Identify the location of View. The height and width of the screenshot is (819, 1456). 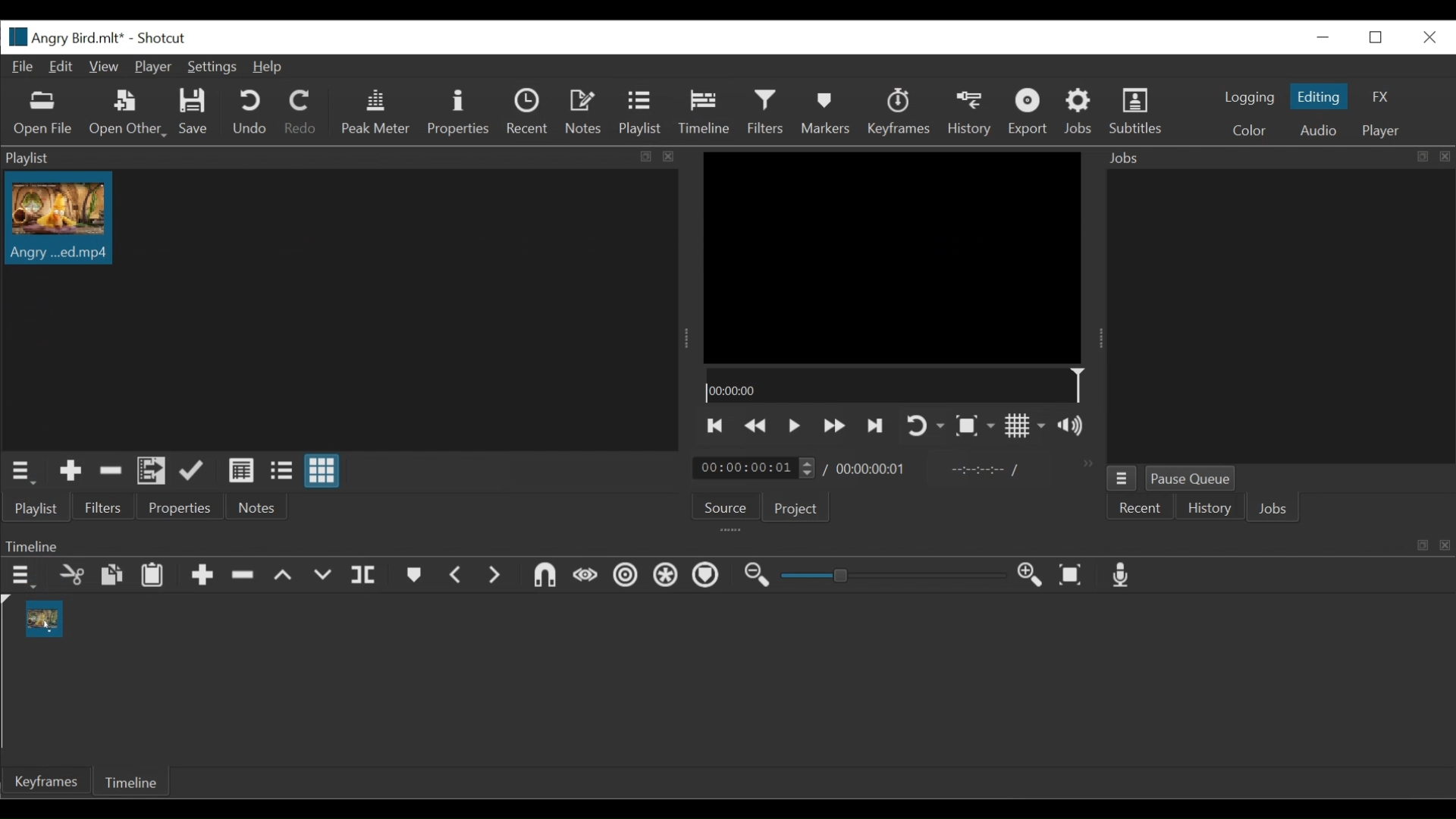
(102, 65).